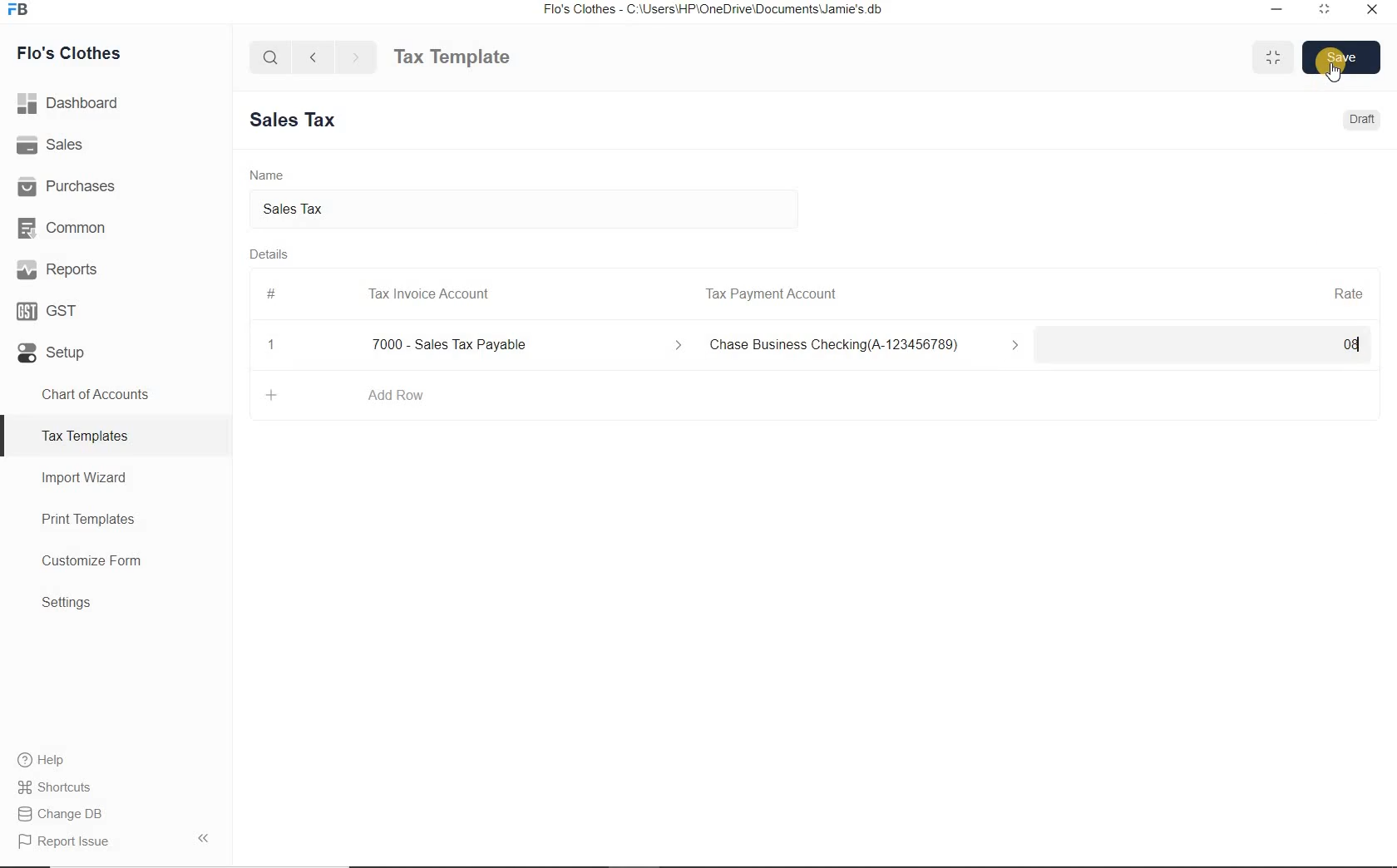 This screenshot has width=1397, height=868. What do you see at coordinates (116, 225) in the screenshot?
I see `Common` at bounding box center [116, 225].